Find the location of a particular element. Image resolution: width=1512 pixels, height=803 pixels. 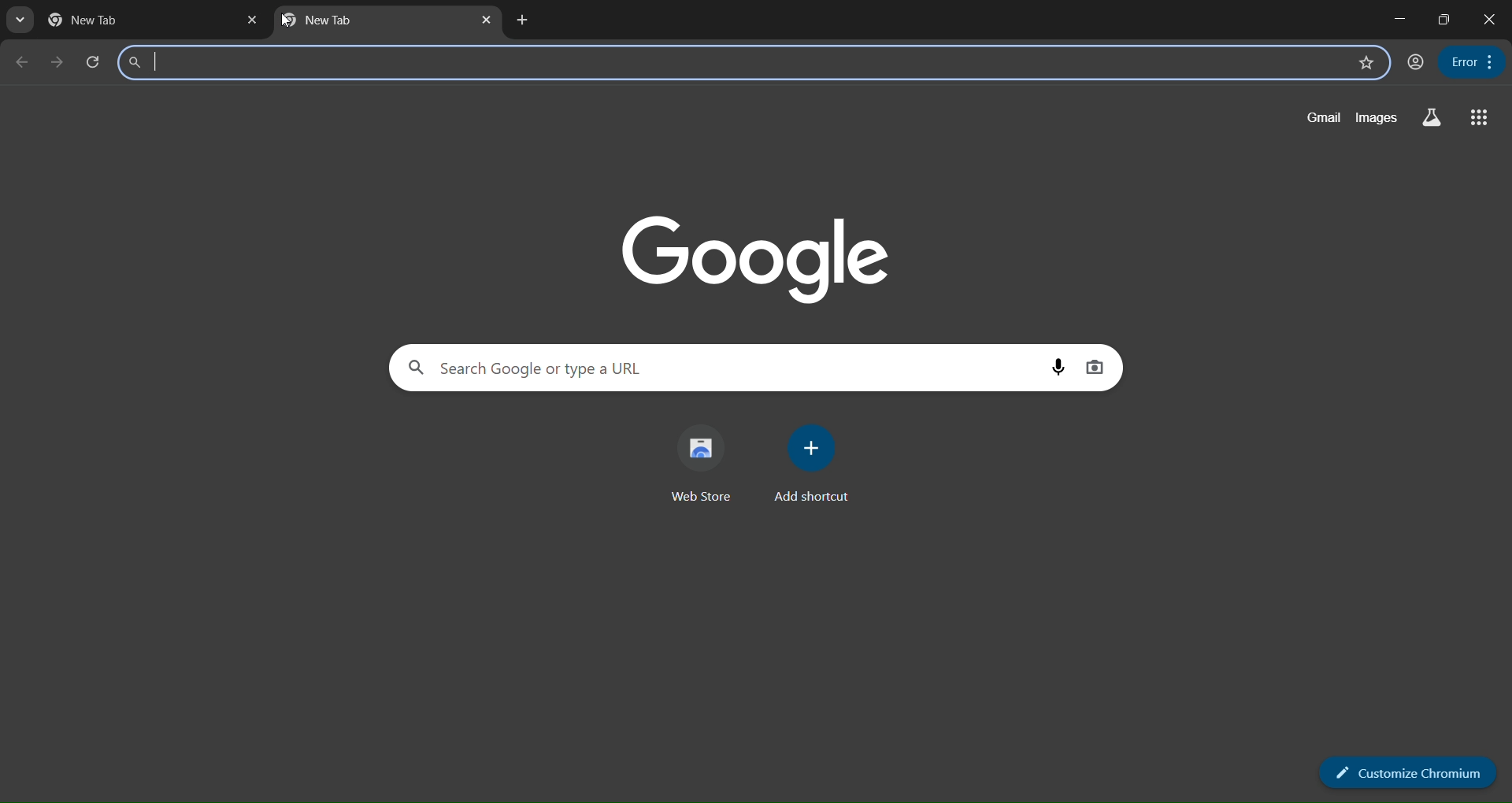

google lens is located at coordinates (1093, 368).